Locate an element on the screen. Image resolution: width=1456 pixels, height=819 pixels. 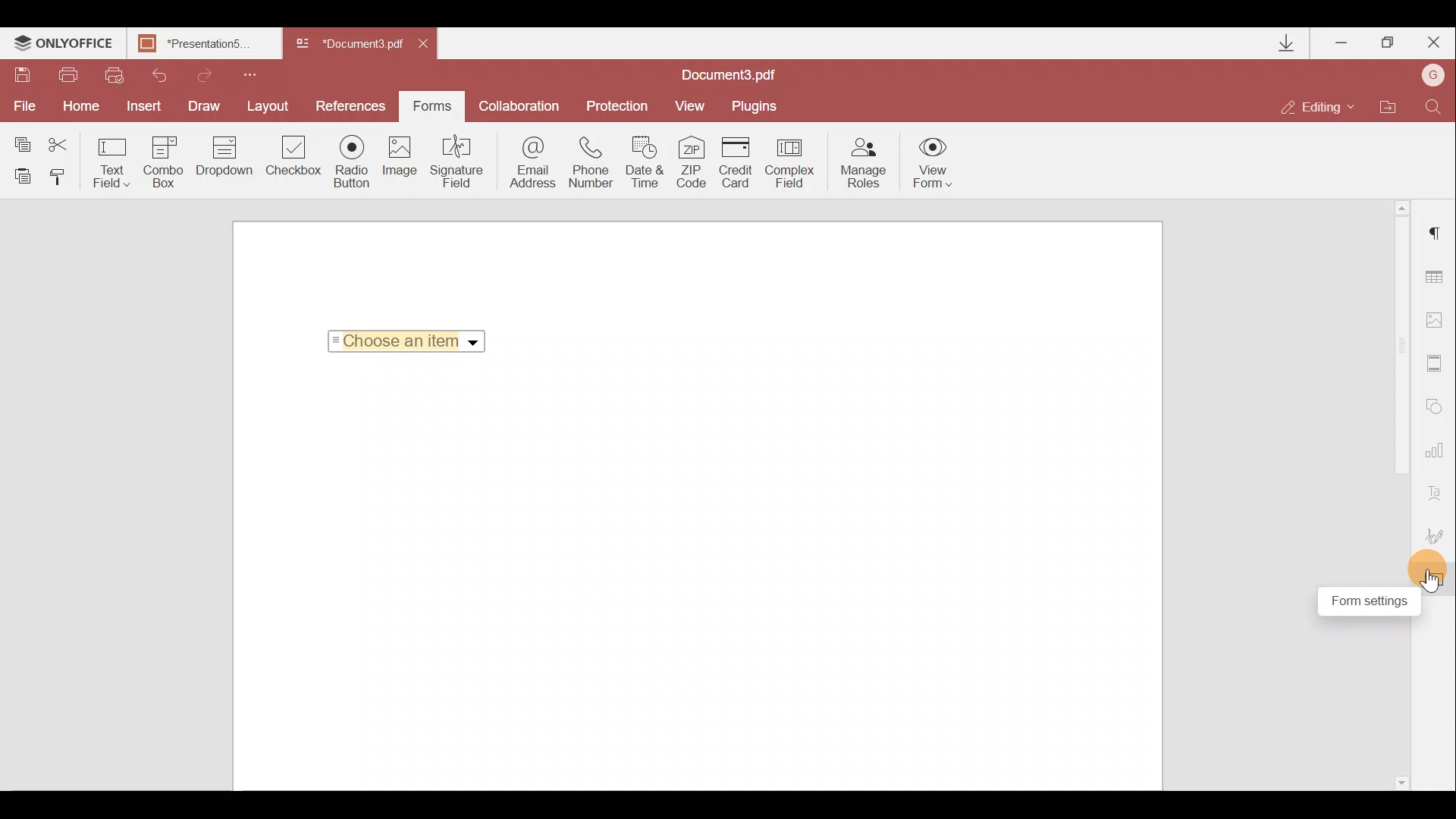
Form settings is located at coordinates (1436, 577).